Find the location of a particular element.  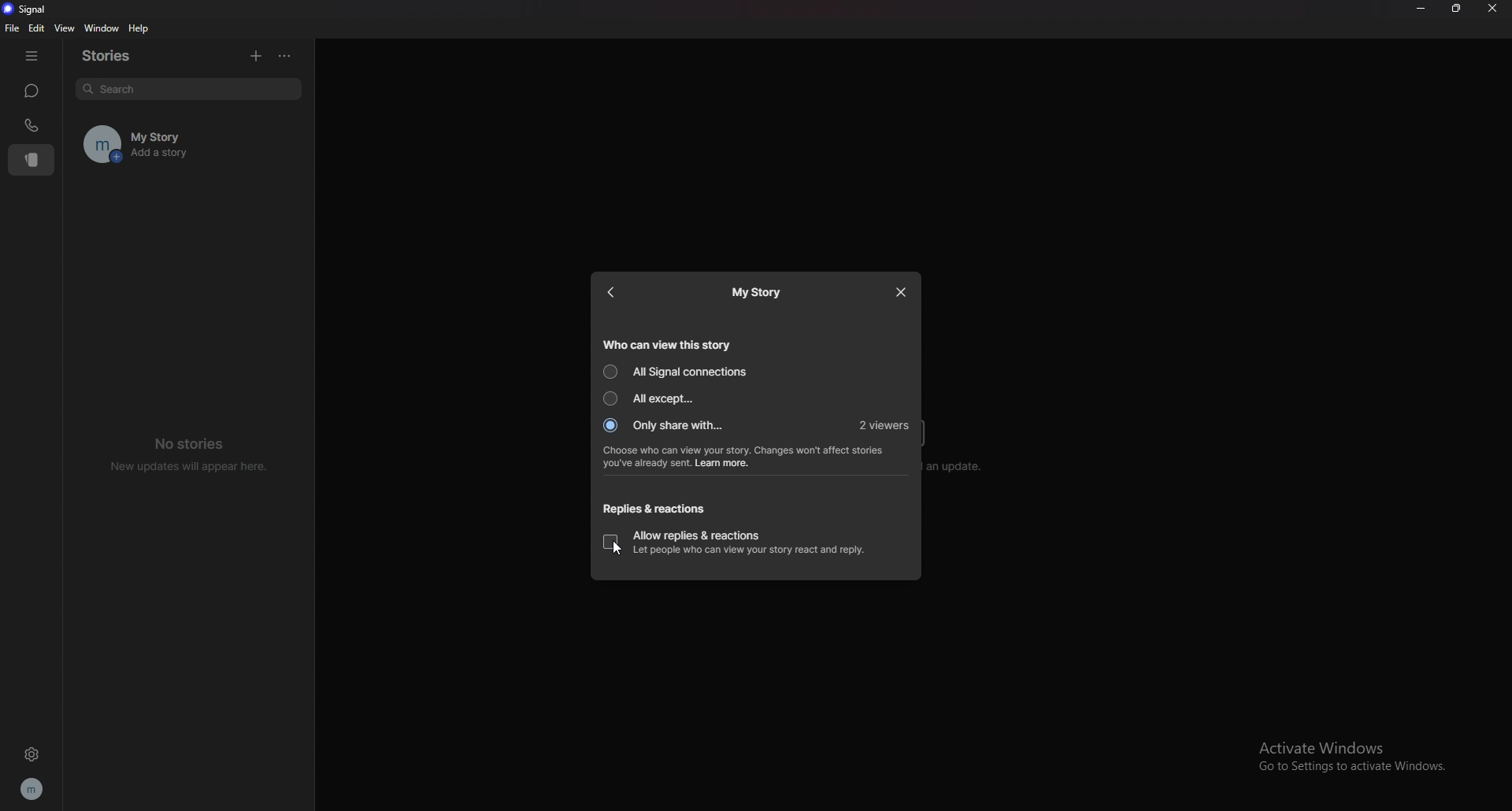

profile image is located at coordinates (96, 143).